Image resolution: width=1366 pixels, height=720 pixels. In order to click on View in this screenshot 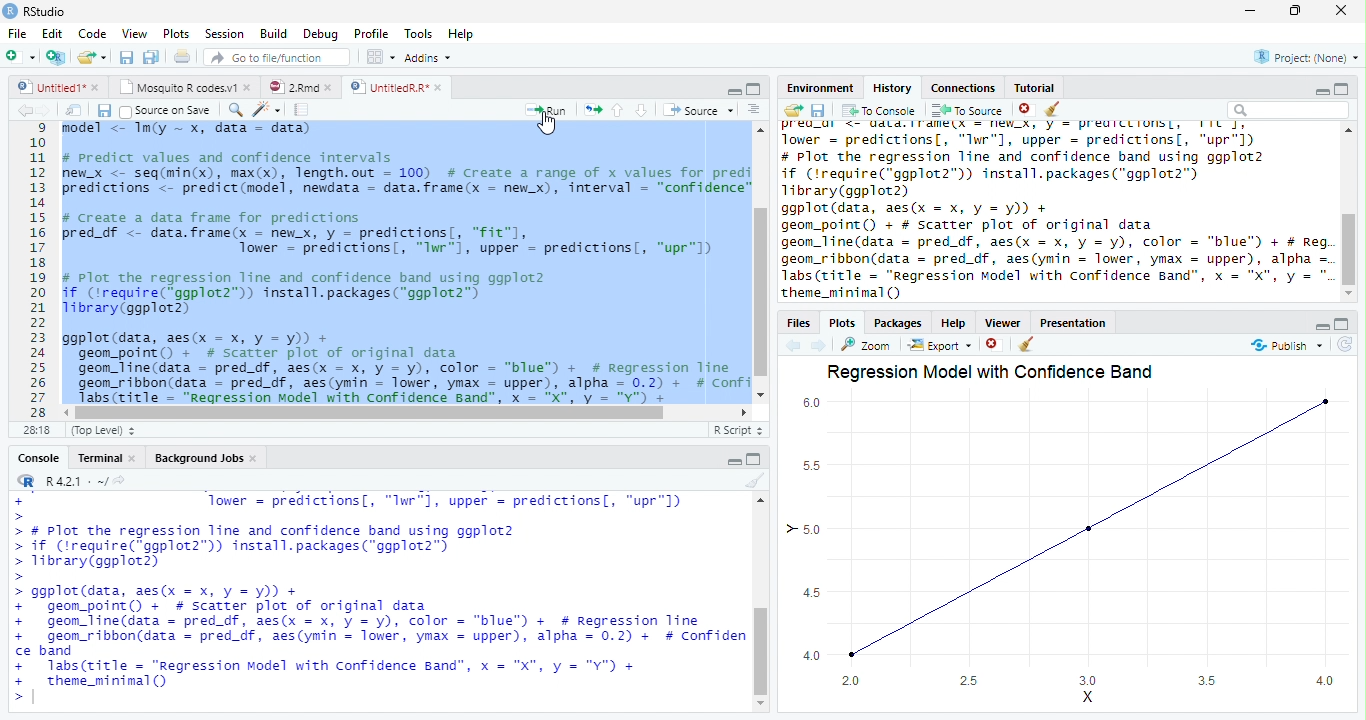, I will do `click(134, 34)`.